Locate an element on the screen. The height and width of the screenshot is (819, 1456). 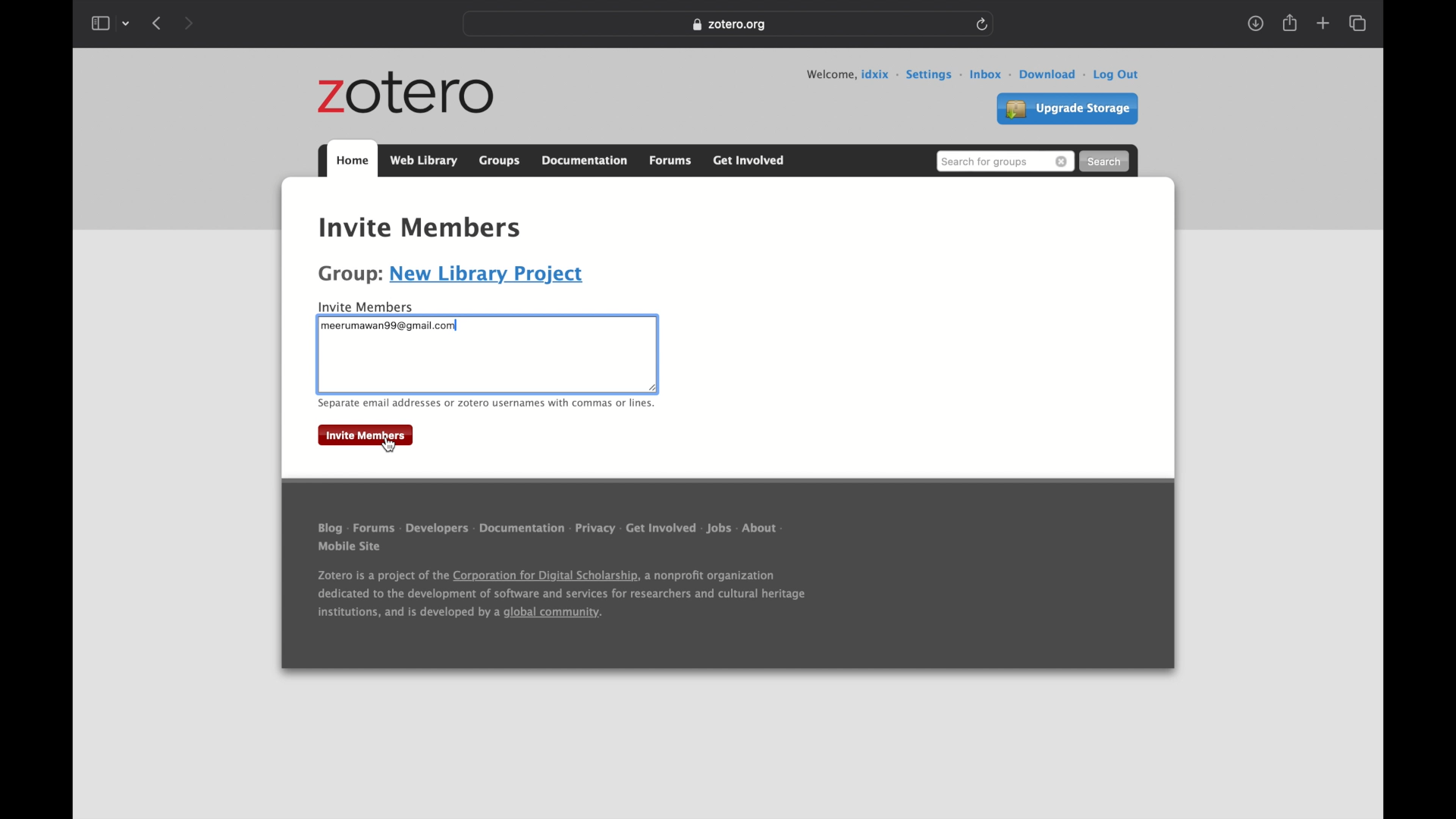
show sidebar is located at coordinates (99, 23).